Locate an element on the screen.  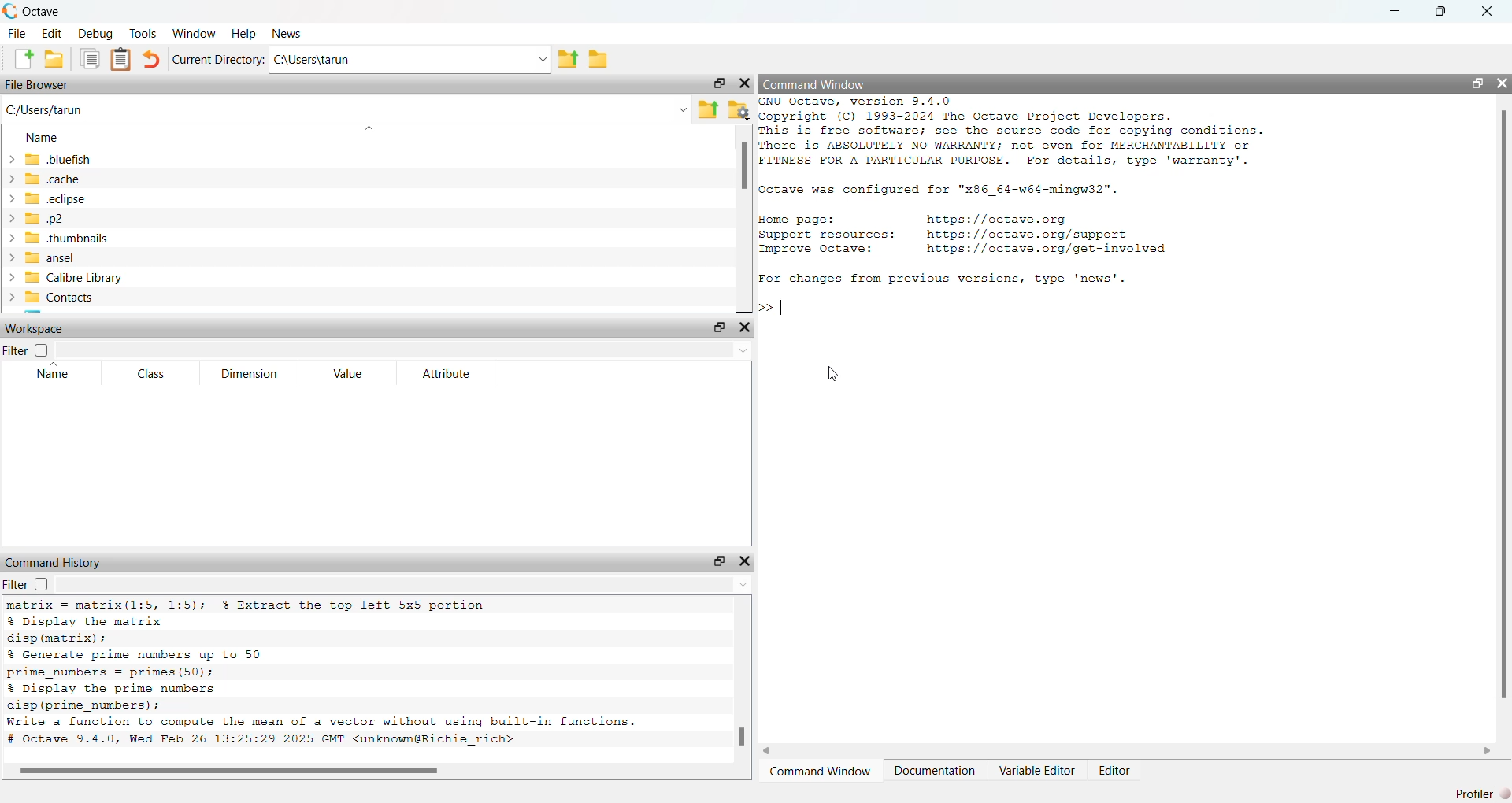
.cache is located at coordinates (52, 179).